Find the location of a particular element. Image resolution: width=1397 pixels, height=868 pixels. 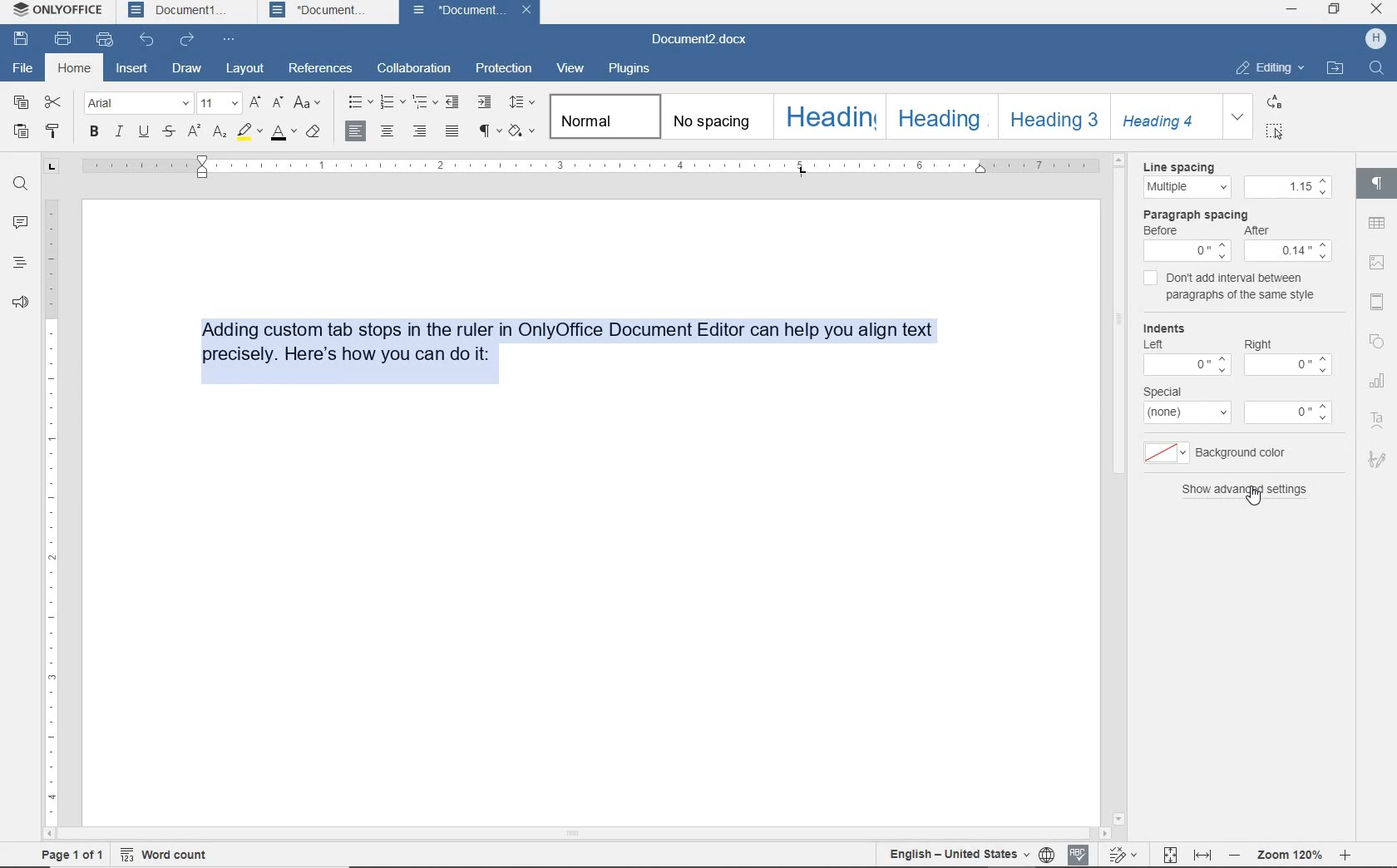

background color is located at coordinates (1244, 451).